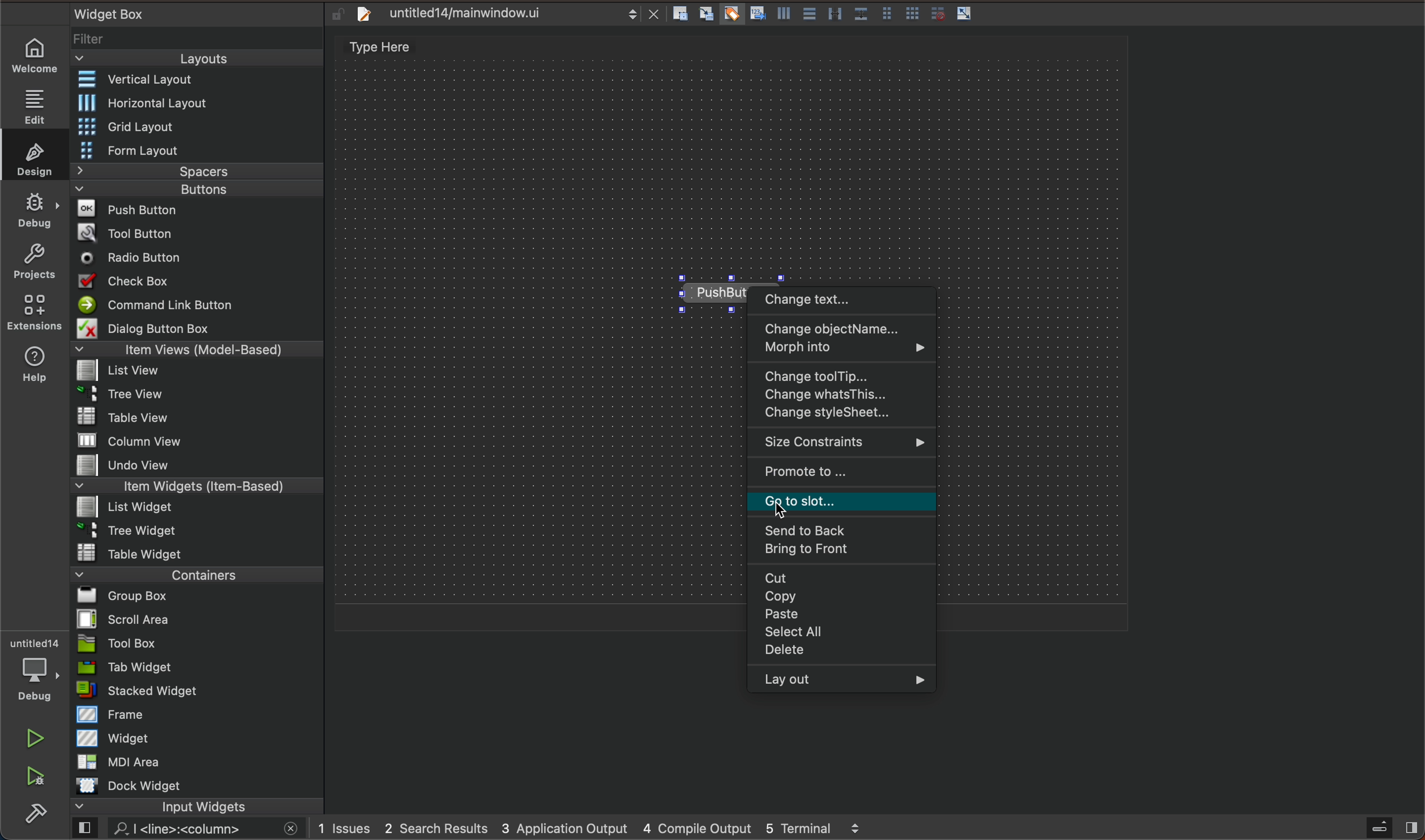  Describe the element at coordinates (195, 59) in the screenshot. I see `layouts` at that location.